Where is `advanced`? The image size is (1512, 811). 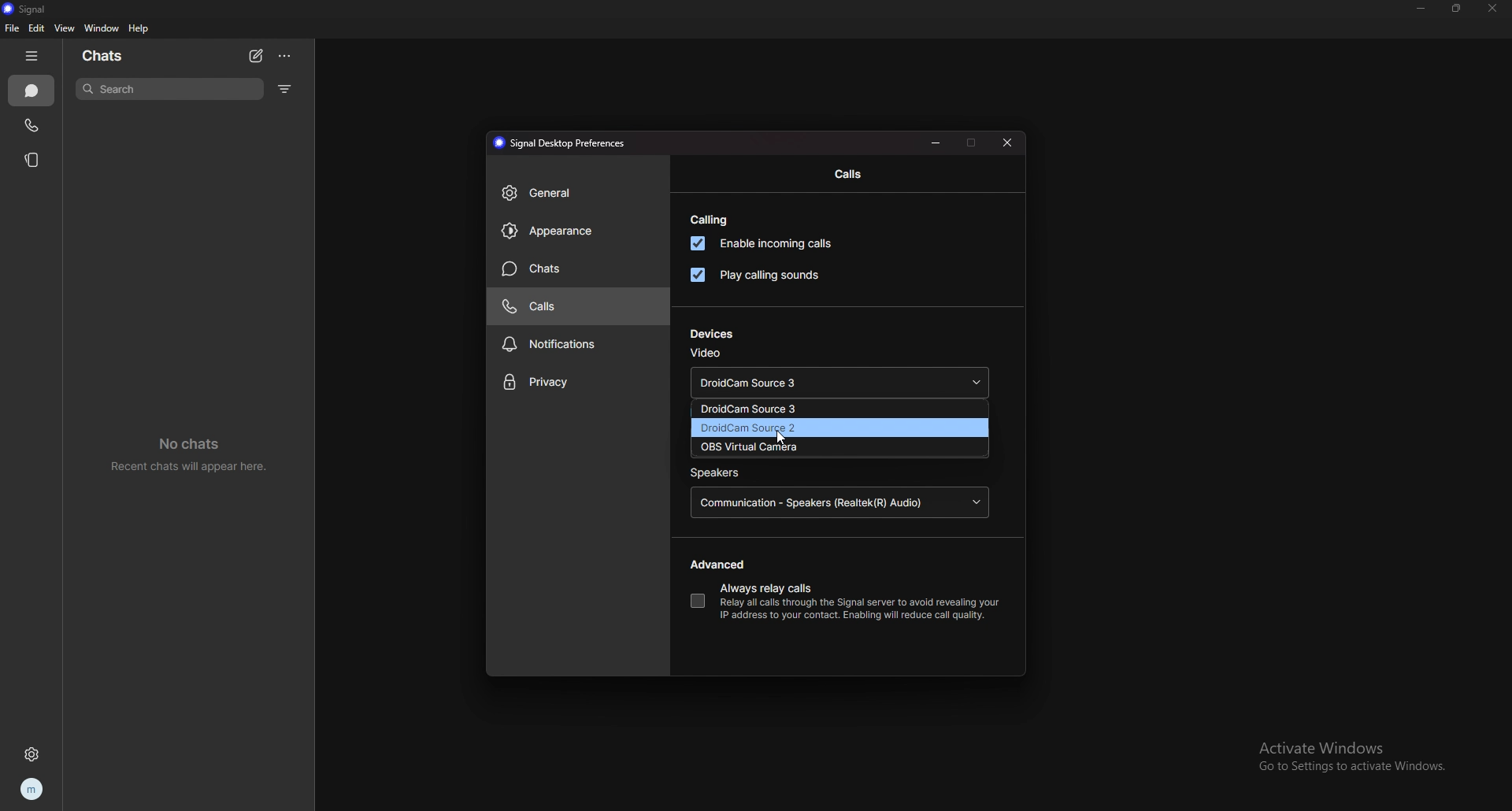 advanced is located at coordinates (721, 565).